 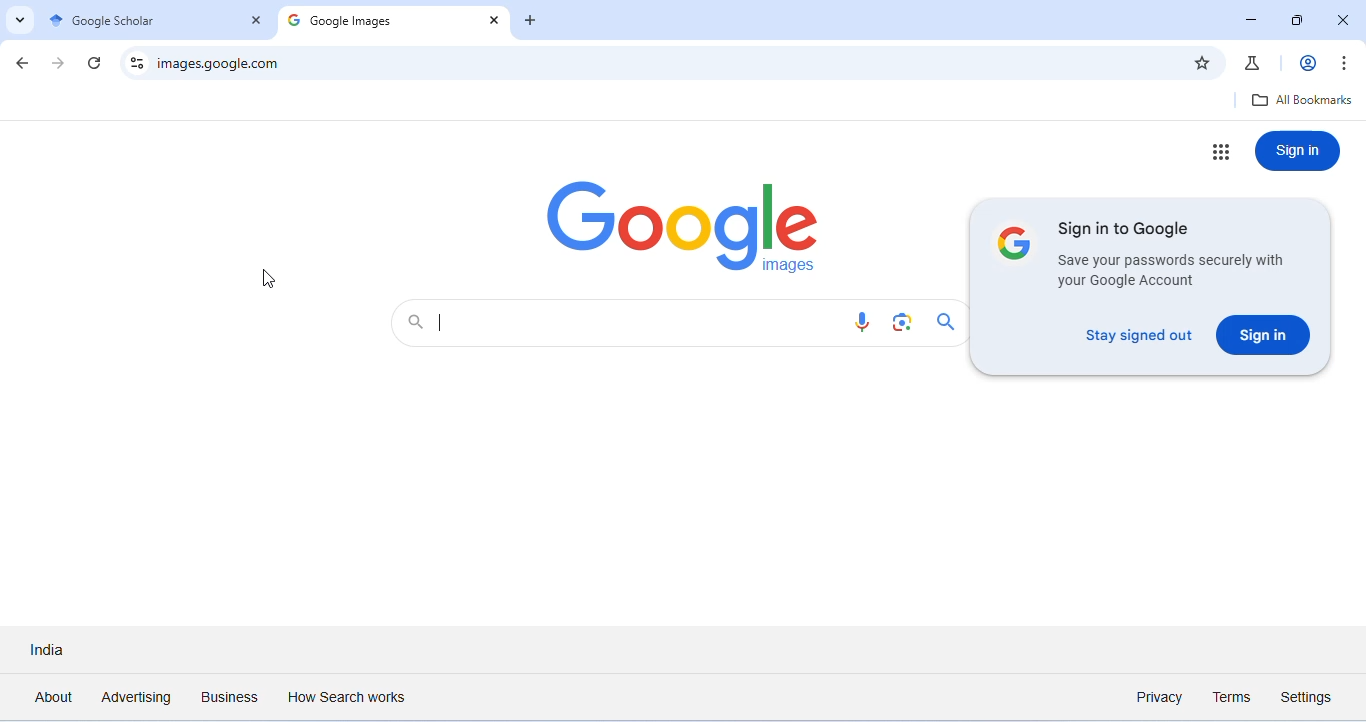 I want to click on logo of google images, so click(x=690, y=228).